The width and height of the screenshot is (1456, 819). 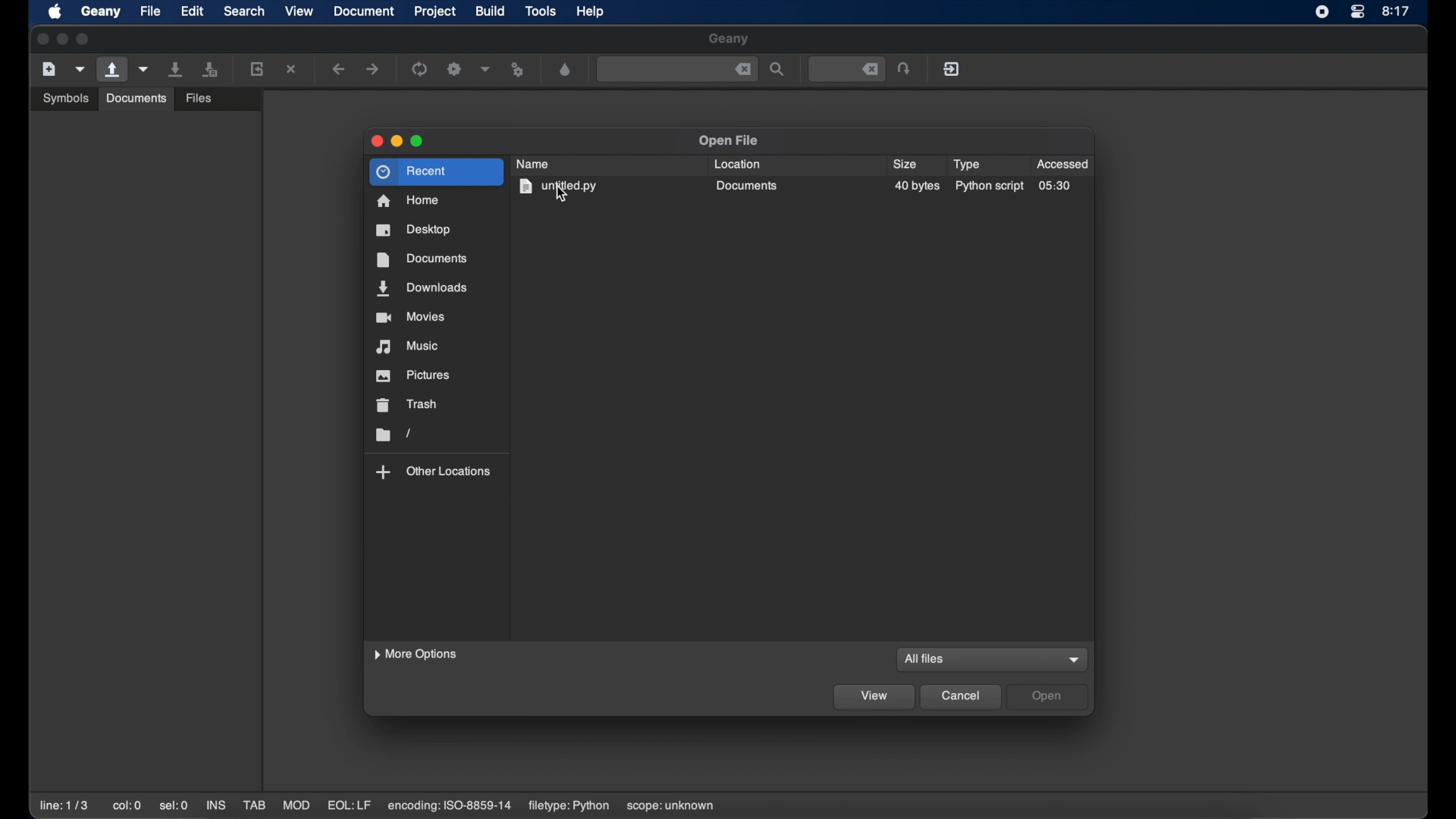 I want to click on name, so click(x=532, y=164).